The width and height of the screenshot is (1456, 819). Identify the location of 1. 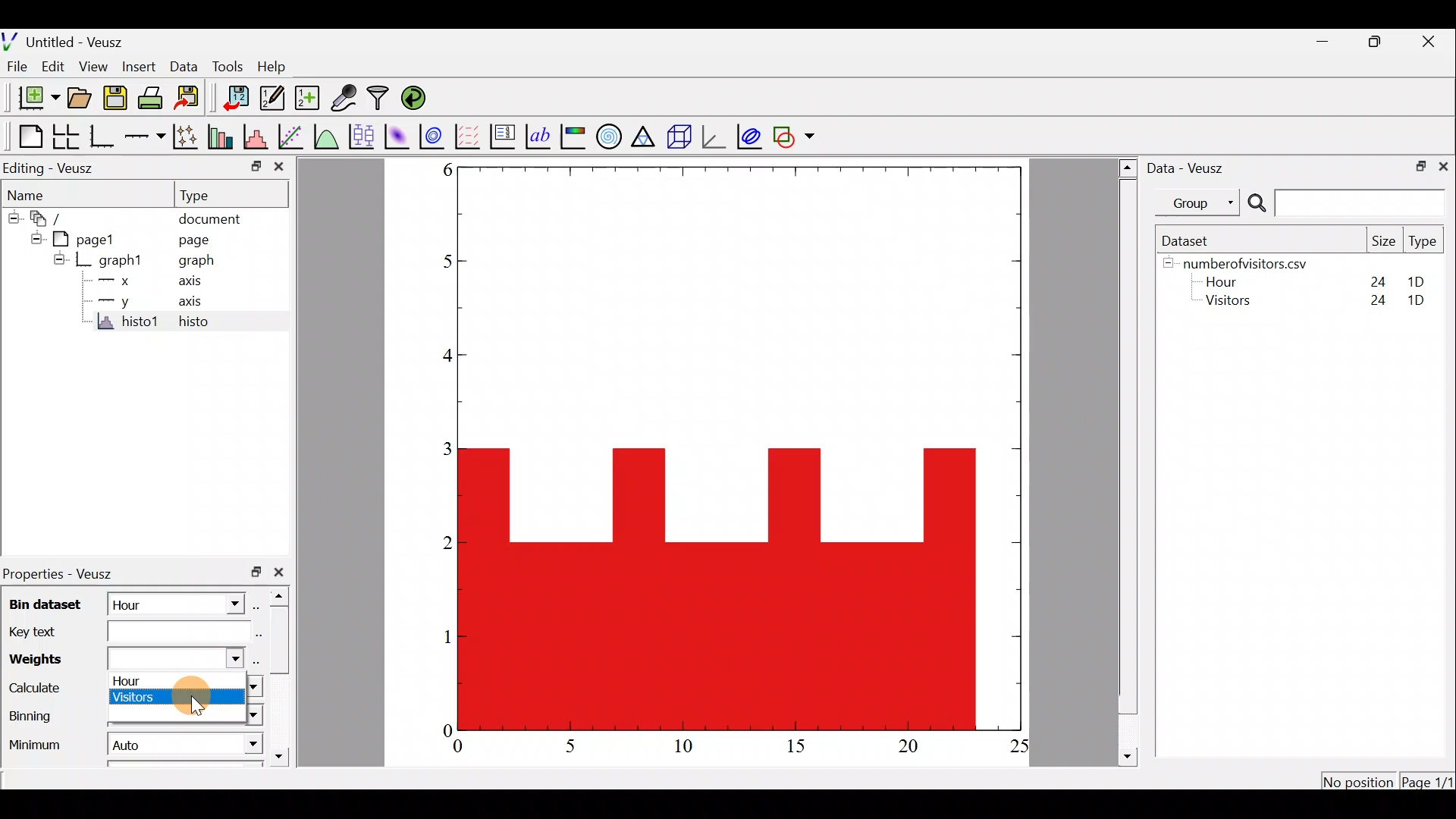
(435, 636).